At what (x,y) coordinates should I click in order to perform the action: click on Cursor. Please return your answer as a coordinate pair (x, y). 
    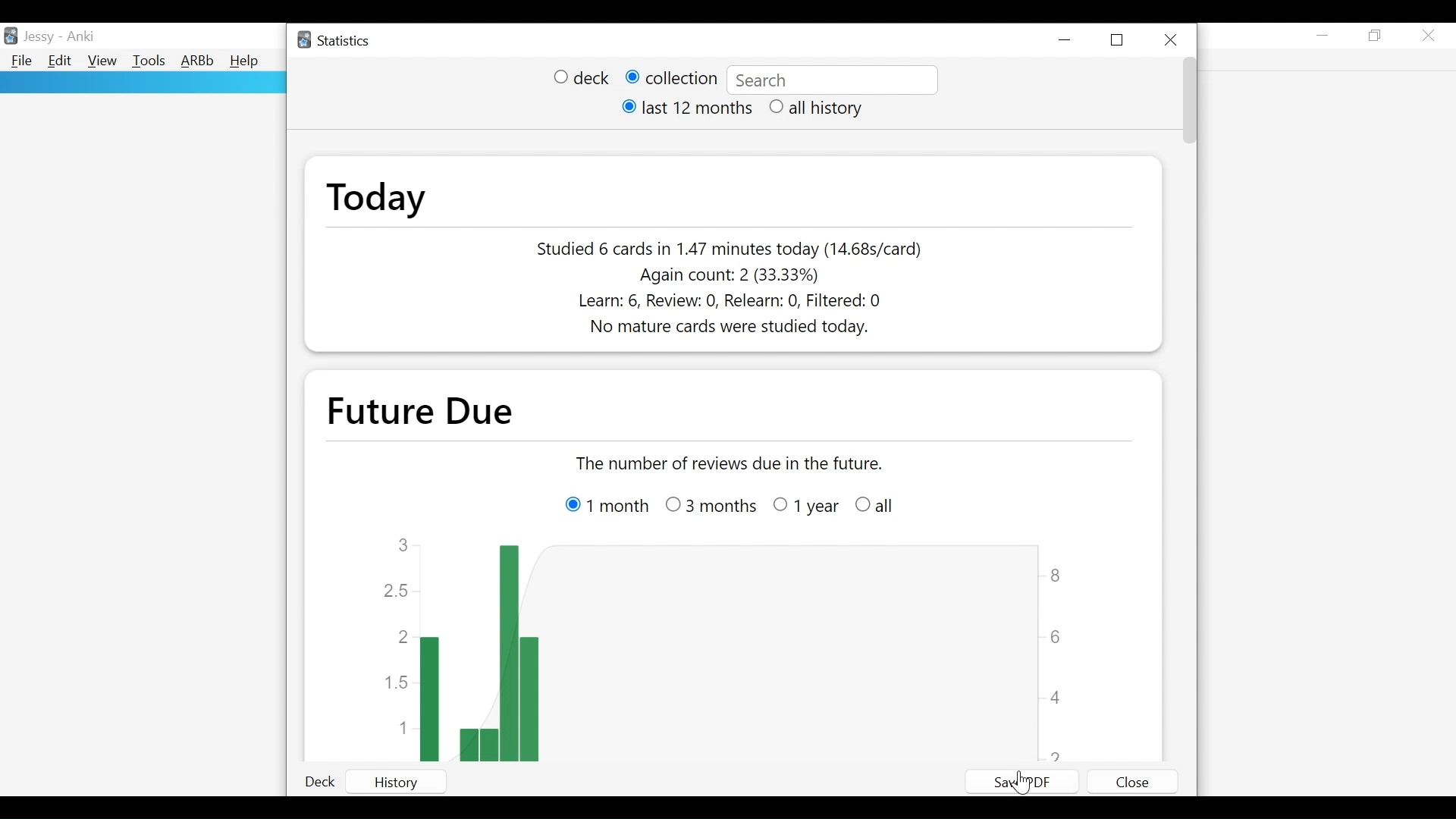
    Looking at the image, I should click on (1028, 783).